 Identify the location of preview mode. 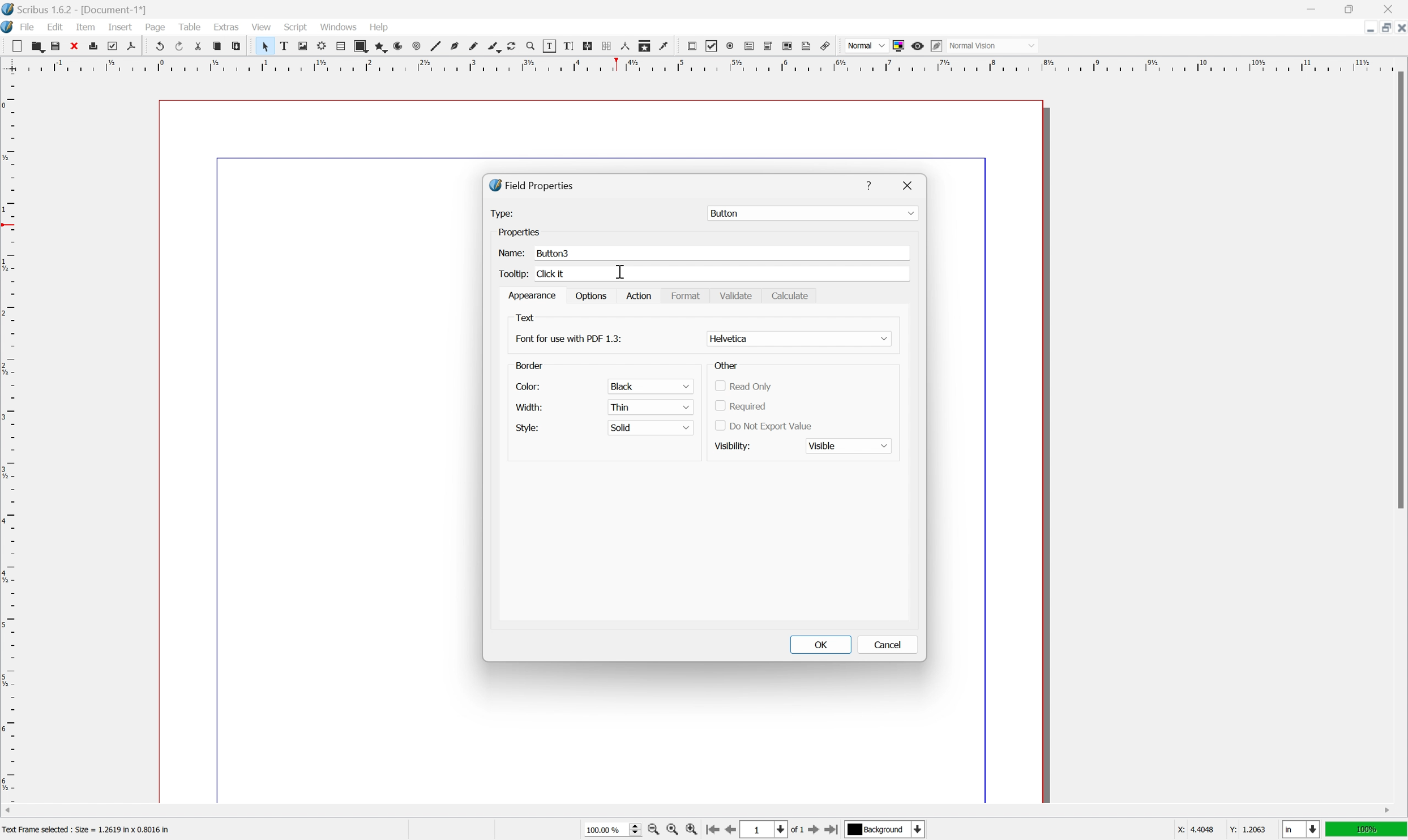
(917, 46).